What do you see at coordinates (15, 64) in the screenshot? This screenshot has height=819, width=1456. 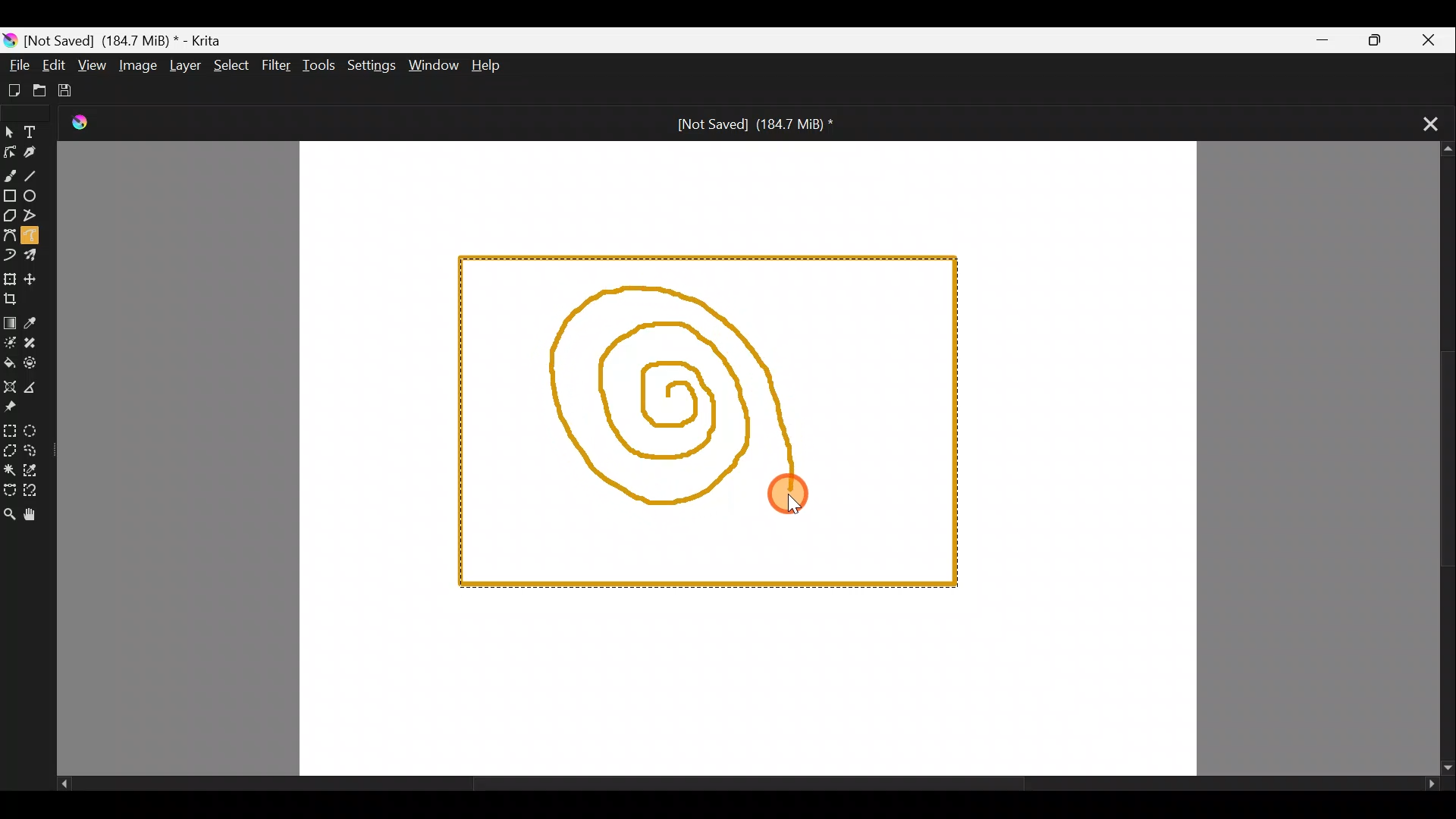 I see `File` at bounding box center [15, 64].